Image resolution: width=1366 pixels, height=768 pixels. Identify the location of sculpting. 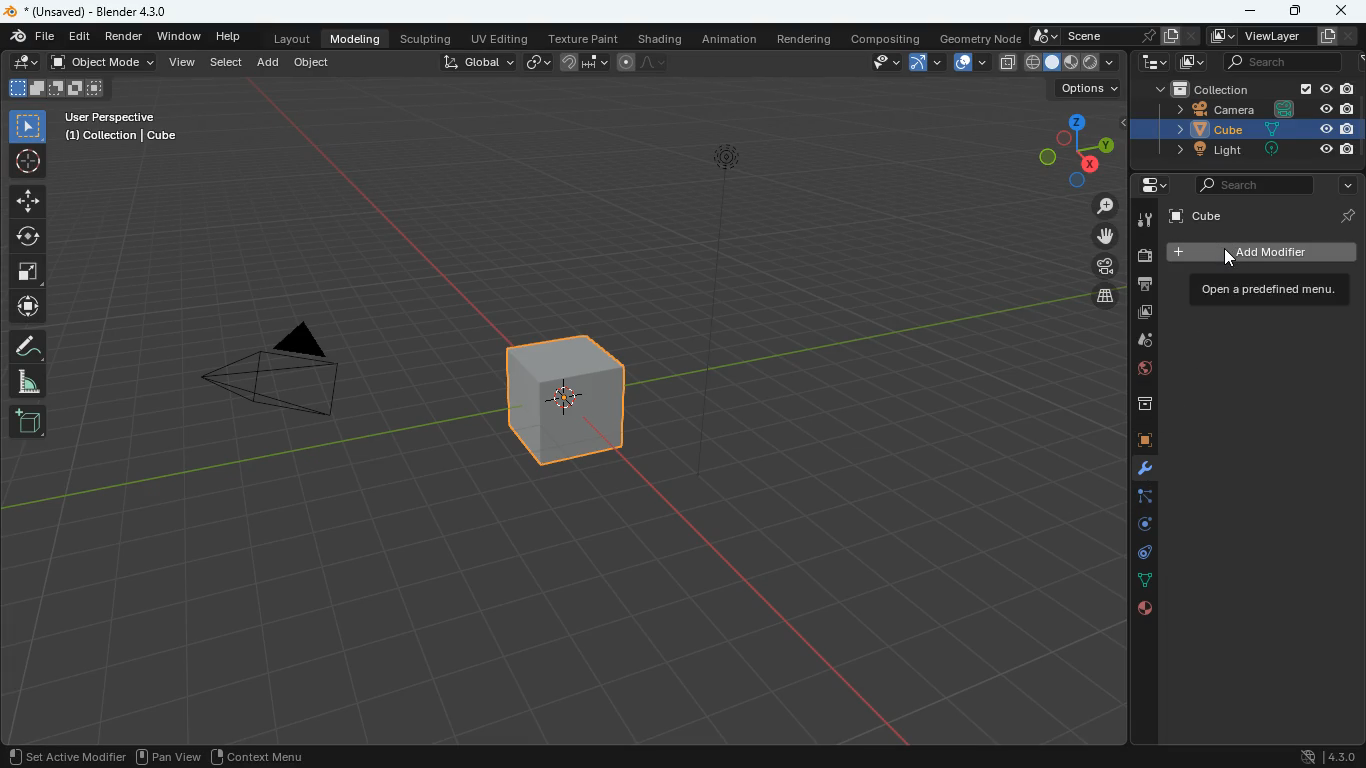
(427, 39).